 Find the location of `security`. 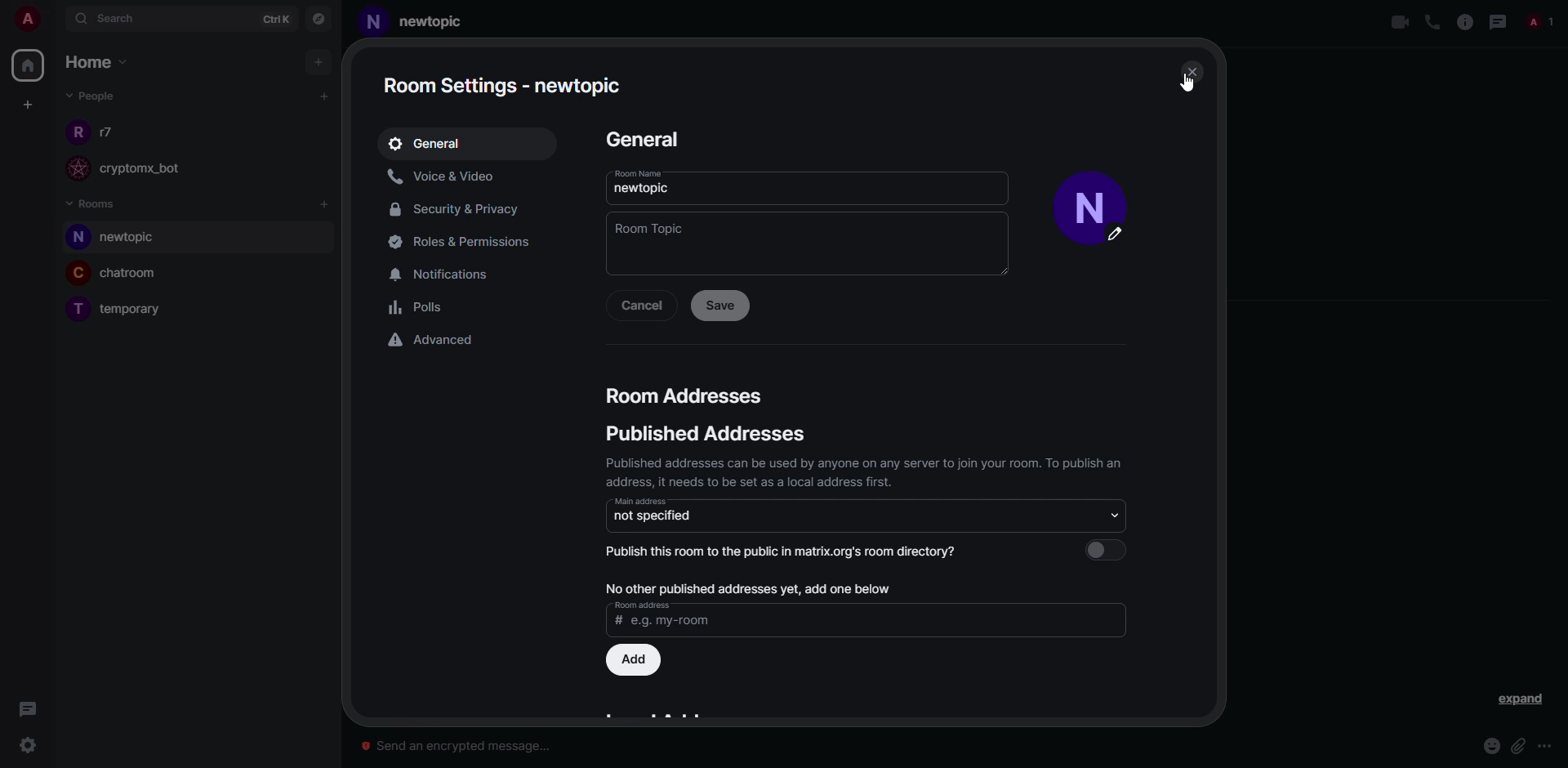

security is located at coordinates (460, 211).